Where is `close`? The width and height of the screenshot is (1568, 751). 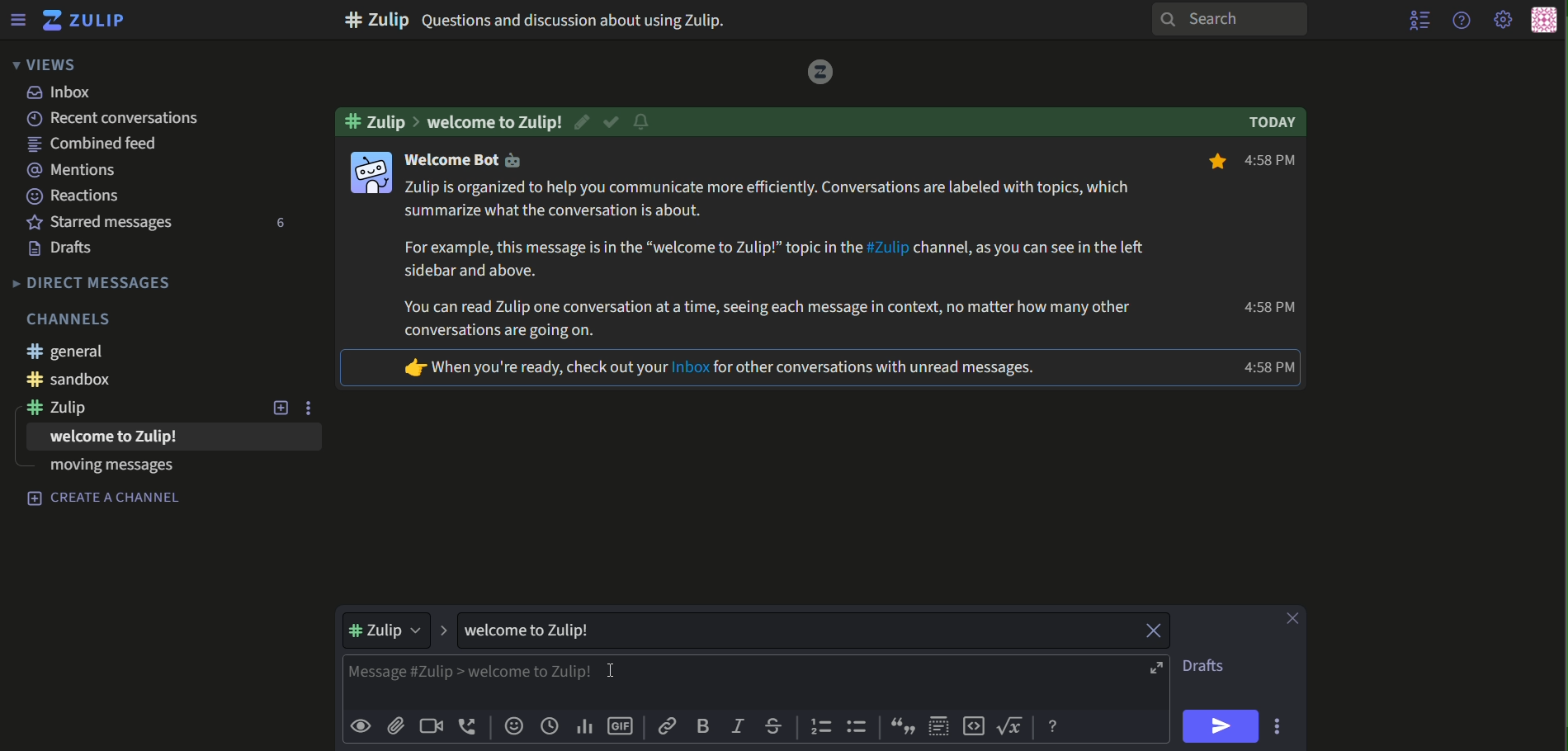 close is located at coordinates (1295, 618).